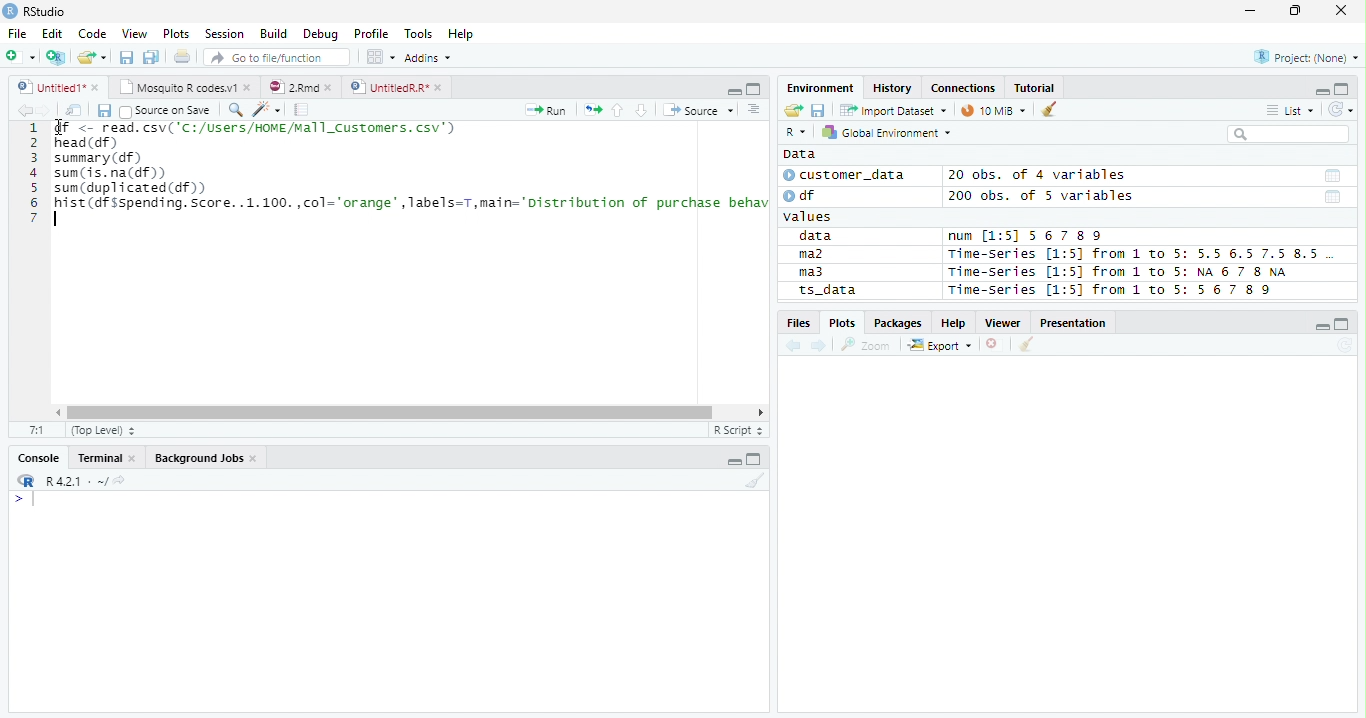 Image resolution: width=1366 pixels, height=718 pixels. Describe the element at coordinates (126, 56) in the screenshot. I see `Save` at that location.